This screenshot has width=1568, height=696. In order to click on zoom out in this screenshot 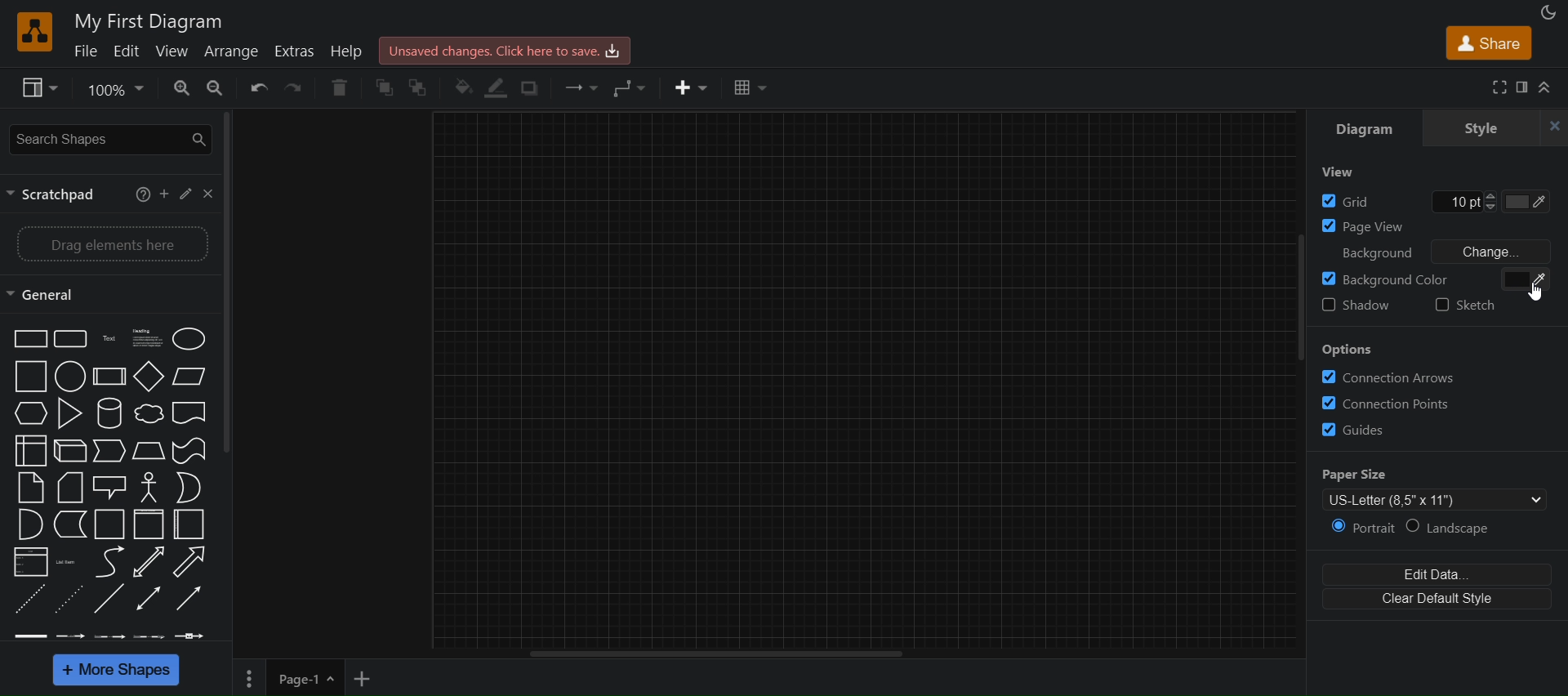, I will do `click(214, 90)`.